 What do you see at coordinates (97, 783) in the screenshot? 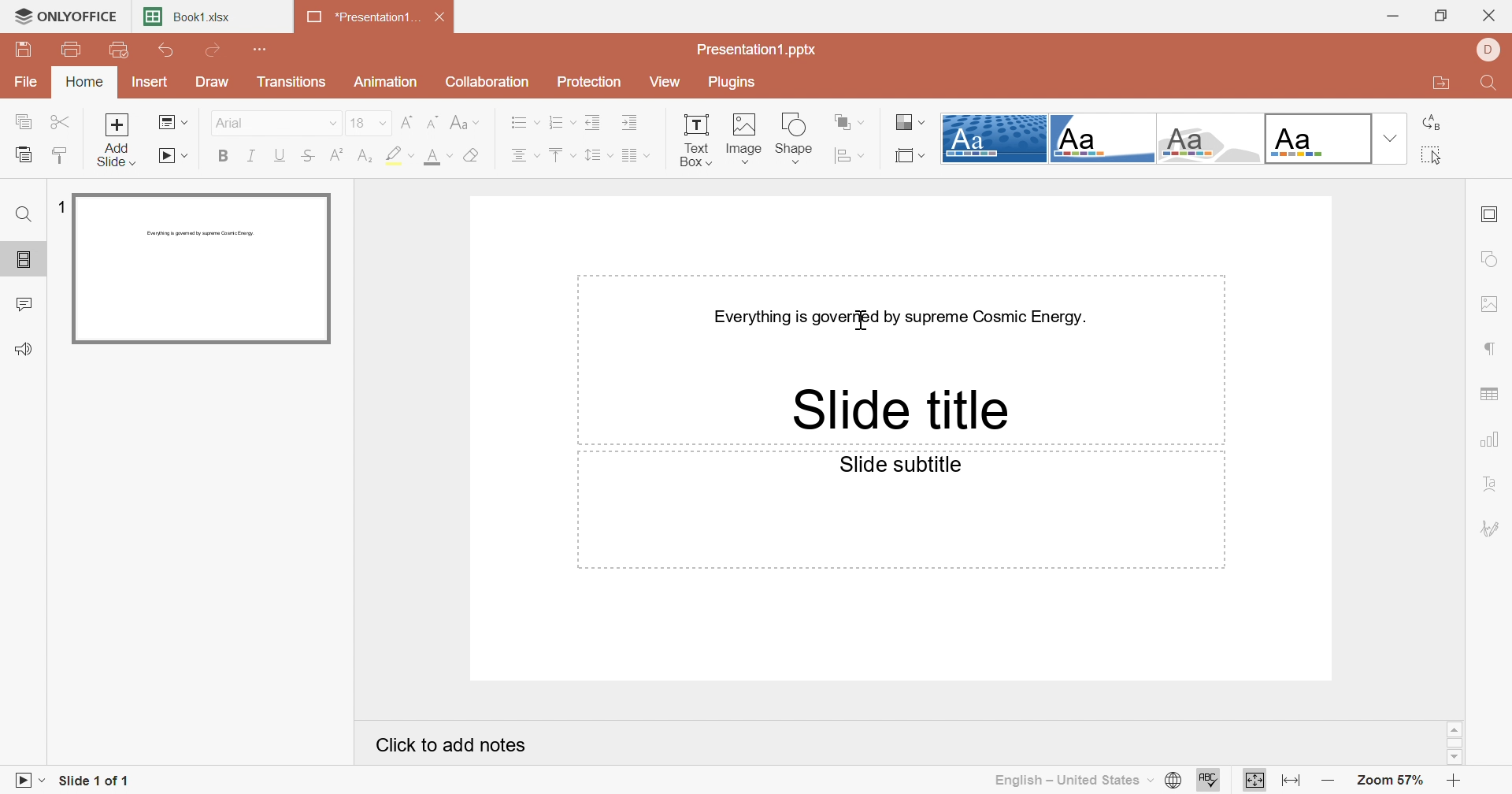
I see `Slide 1 of 1` at bounding box center [97, 783].